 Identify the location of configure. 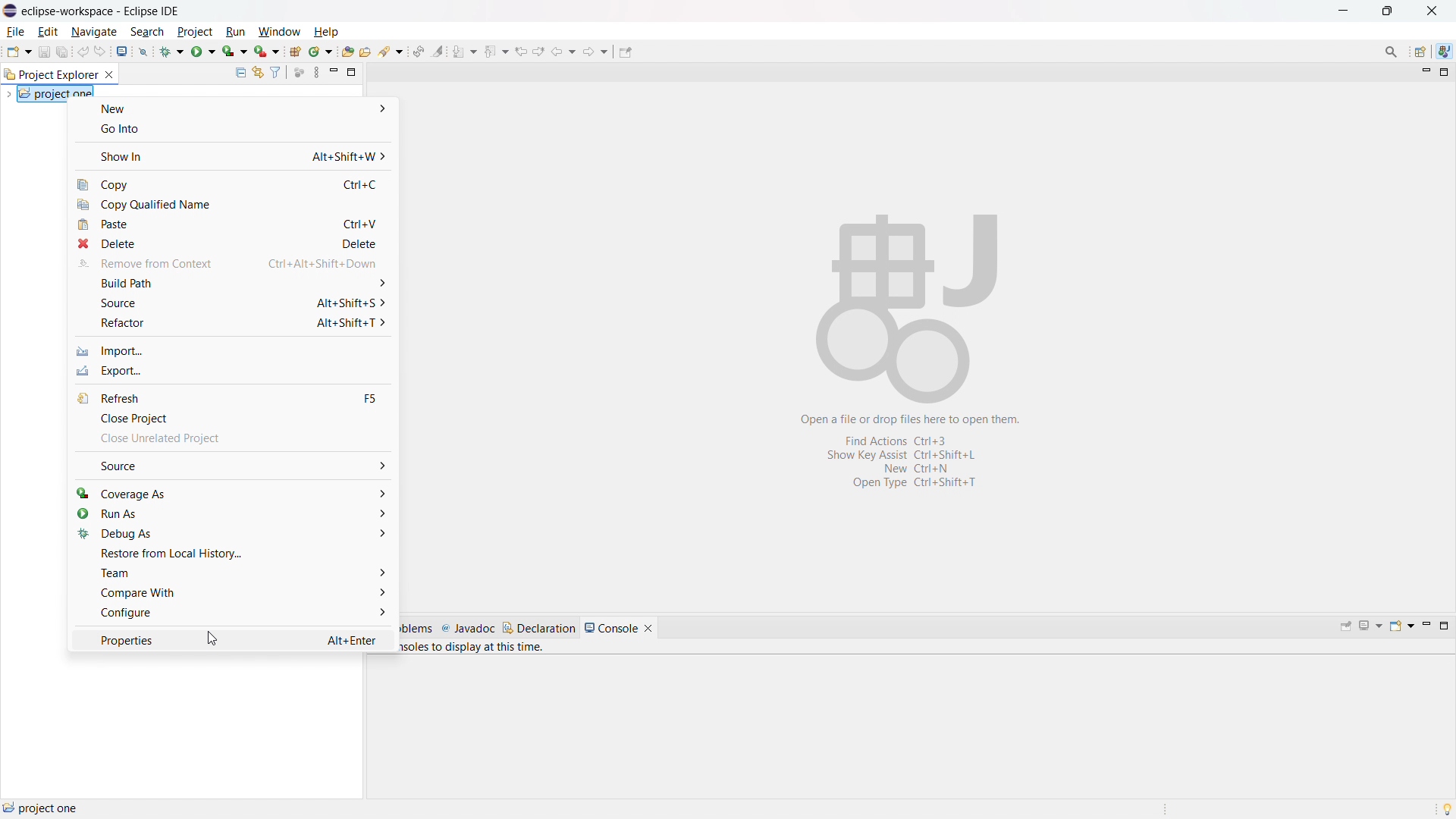
(232, 613).